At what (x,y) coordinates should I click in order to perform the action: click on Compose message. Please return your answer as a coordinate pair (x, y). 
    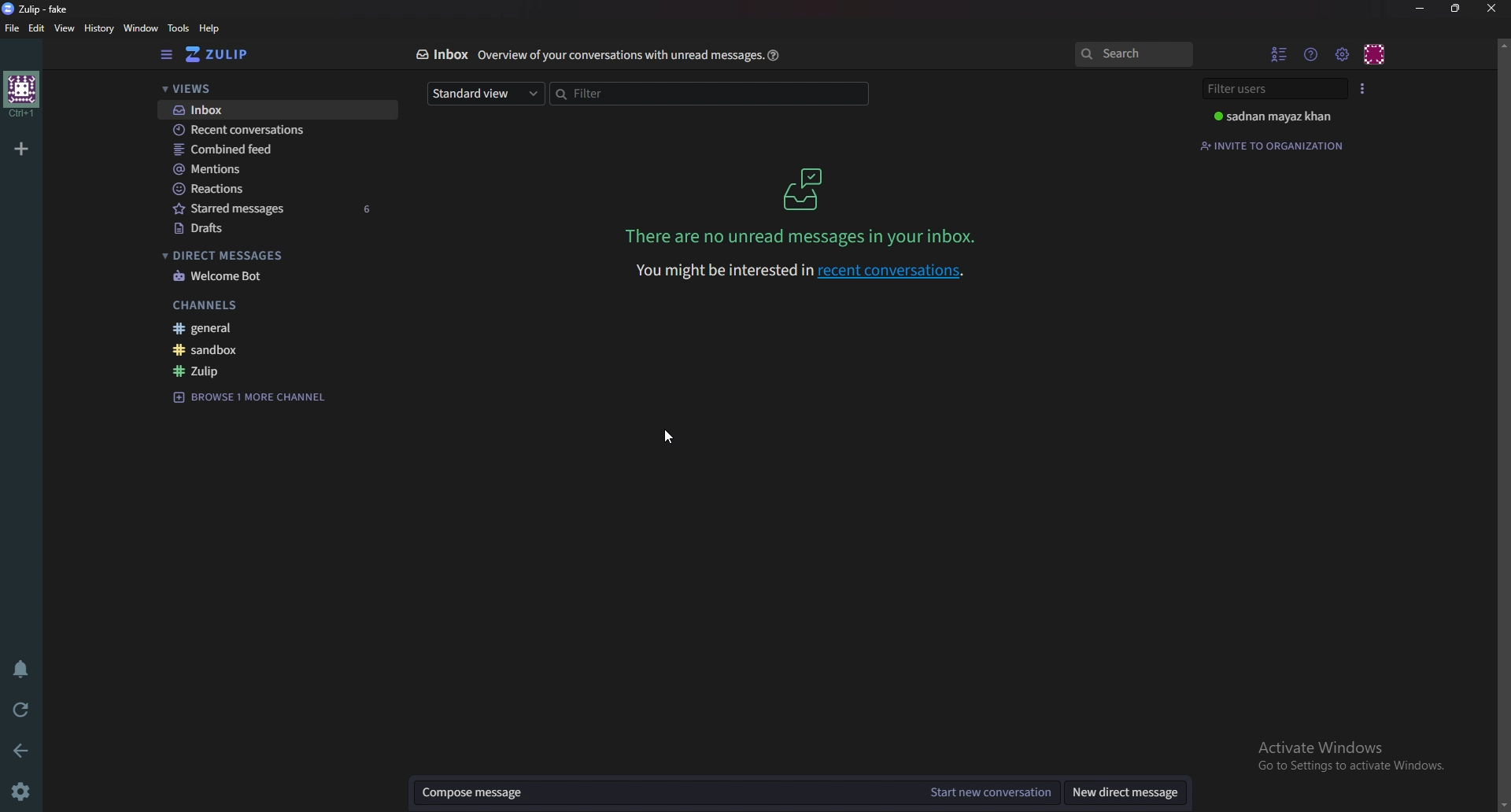
    Looking at the image, I should click on (673, 792).